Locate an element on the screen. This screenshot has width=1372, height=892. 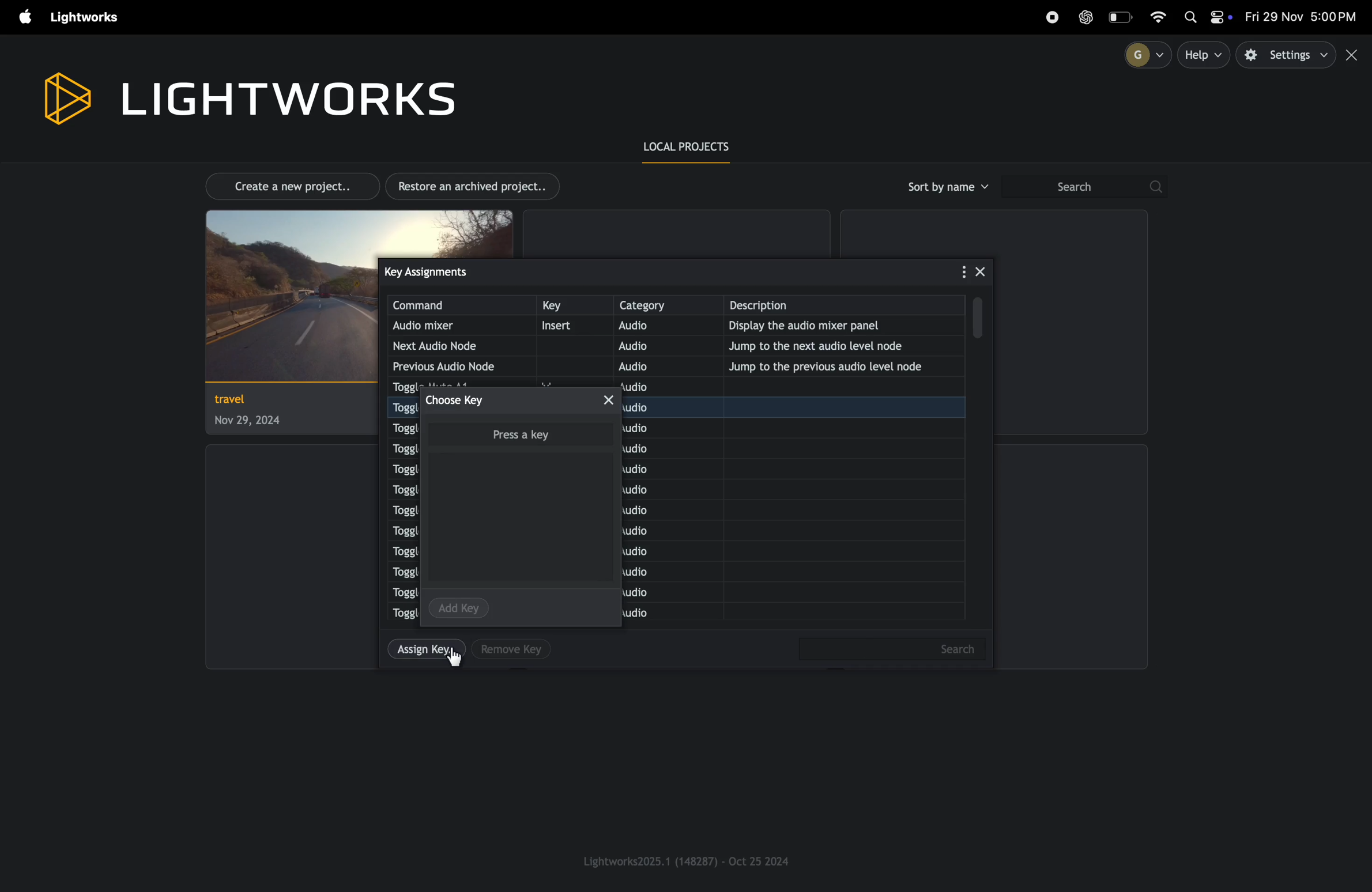
jump to the next audio is located at coordinates (842, 345).